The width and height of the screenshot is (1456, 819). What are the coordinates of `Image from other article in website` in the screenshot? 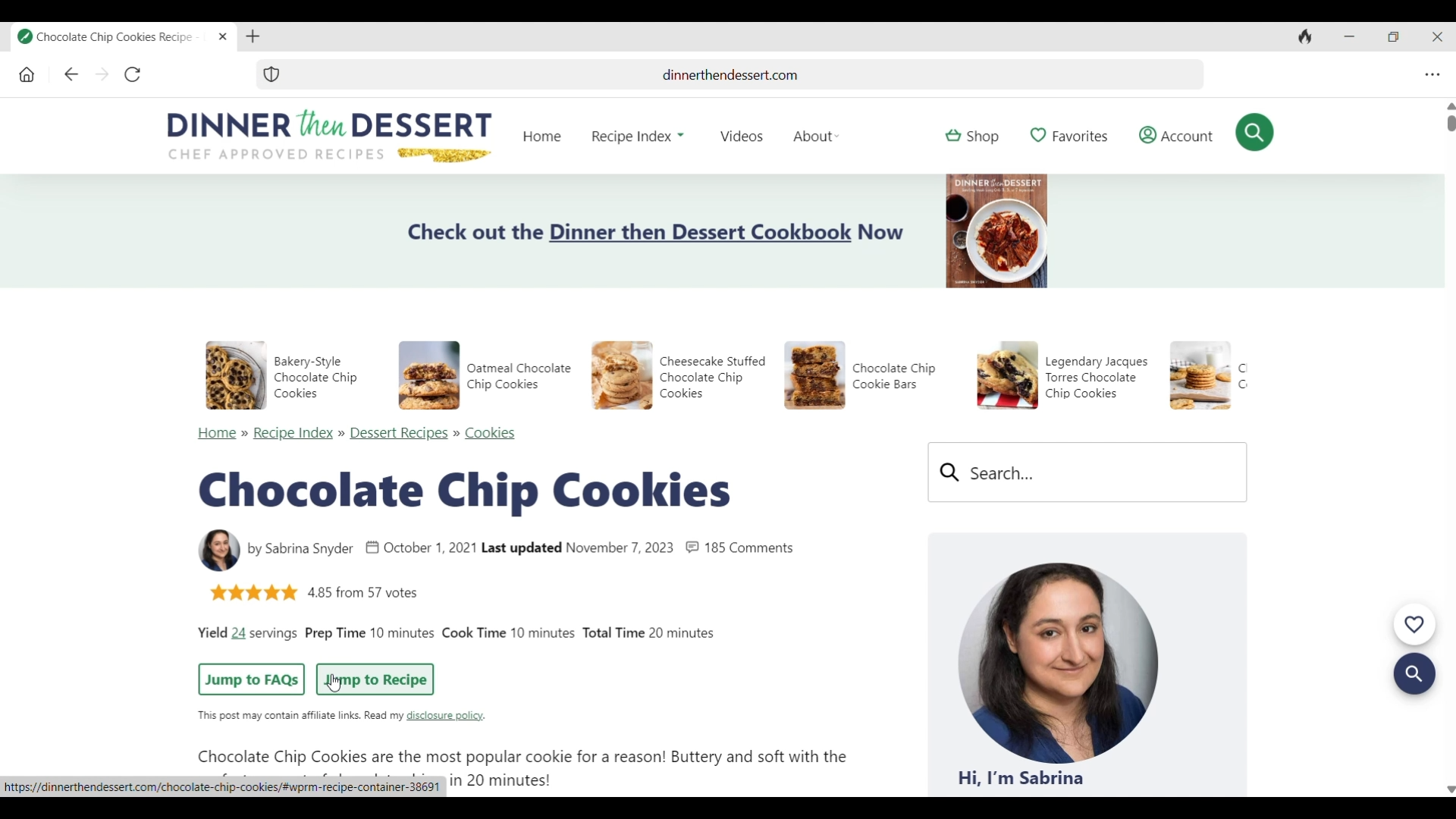 It's located at (1007, 375).